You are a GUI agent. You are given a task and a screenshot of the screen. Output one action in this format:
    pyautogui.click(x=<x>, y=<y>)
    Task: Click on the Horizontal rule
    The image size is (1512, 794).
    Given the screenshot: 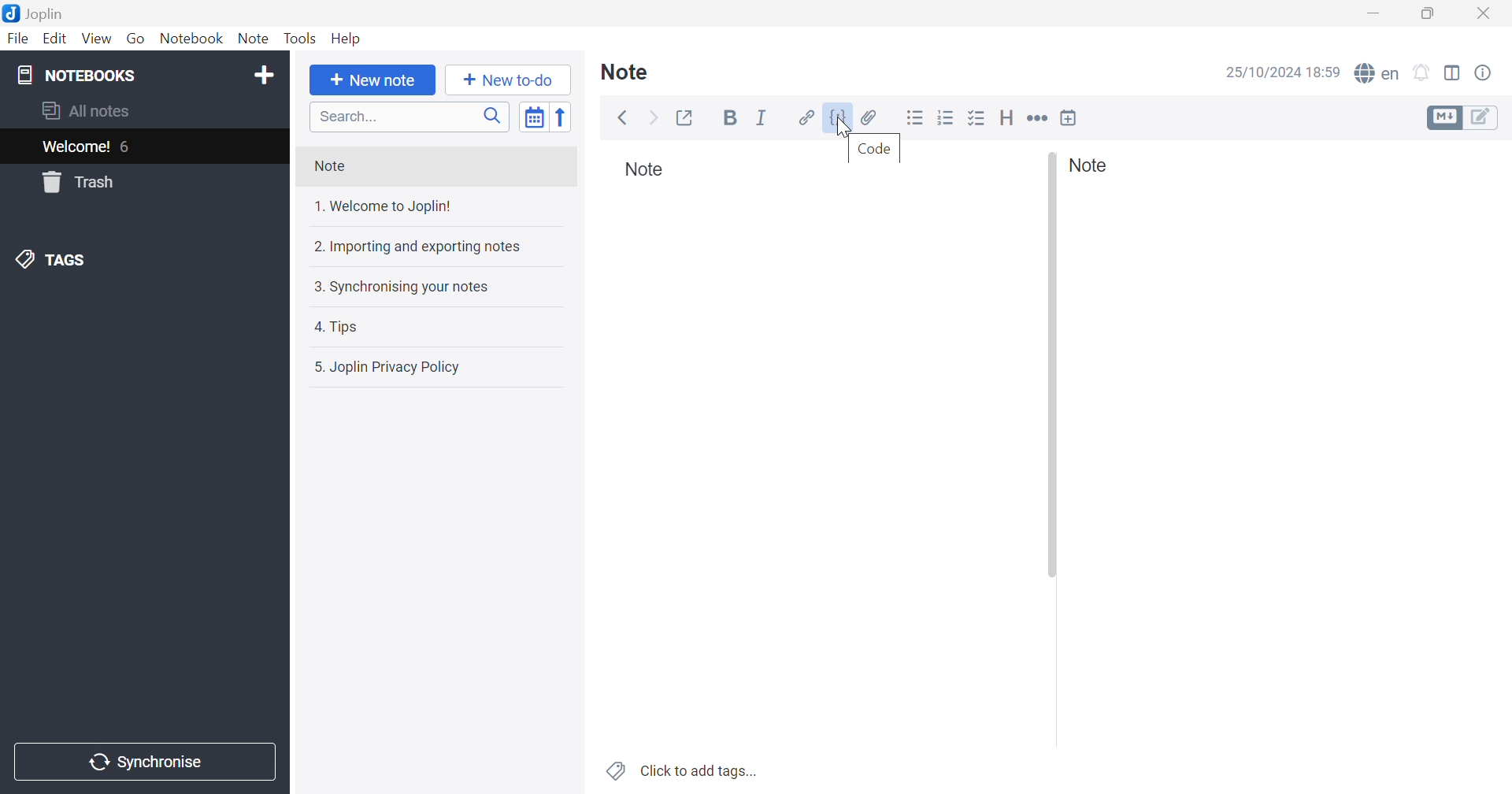 What is the action you would take?
    pyautogui.click(x=1037, y=121)
    